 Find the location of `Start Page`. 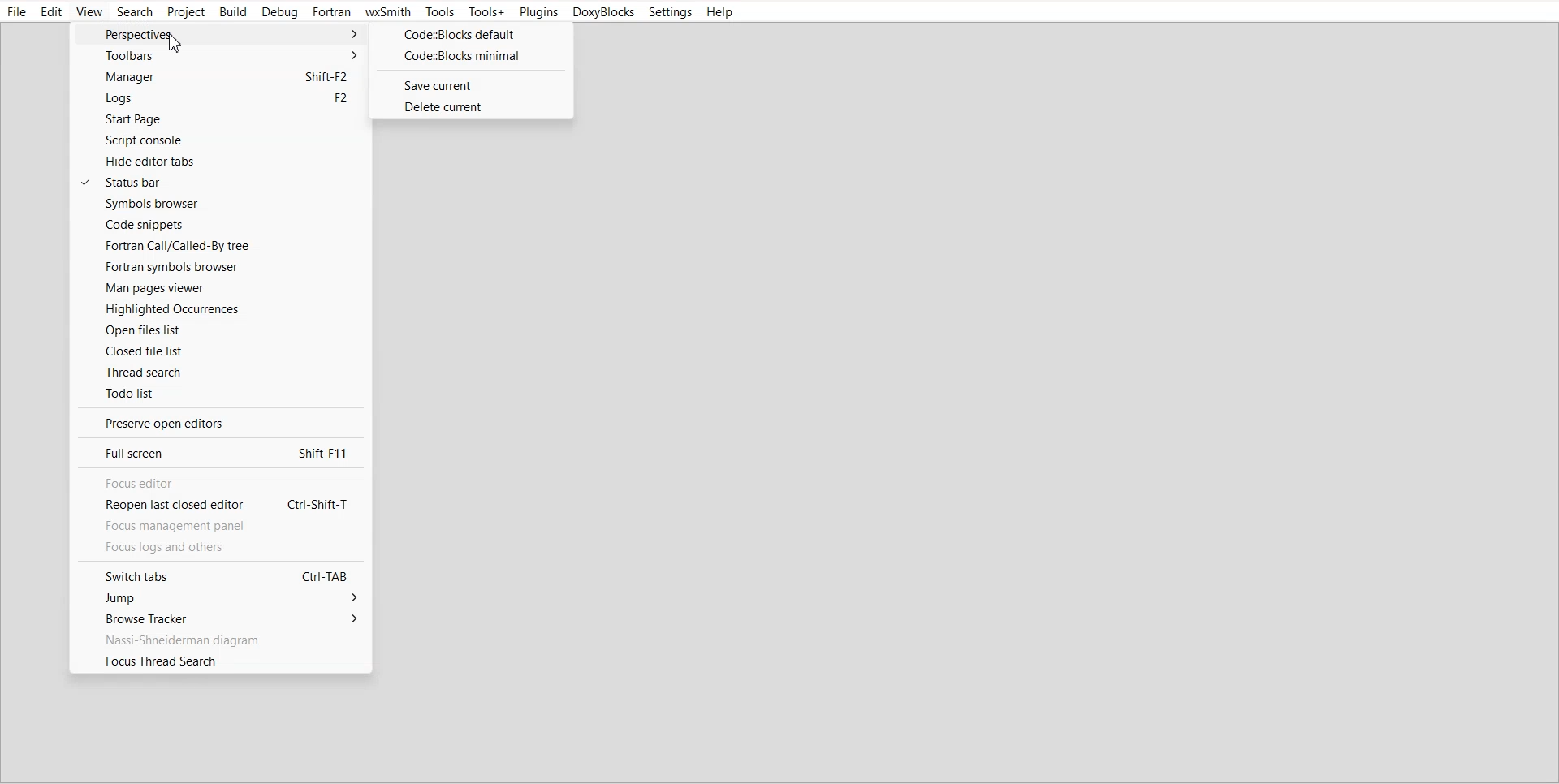

Start Page is located at coordinates (217, 120).